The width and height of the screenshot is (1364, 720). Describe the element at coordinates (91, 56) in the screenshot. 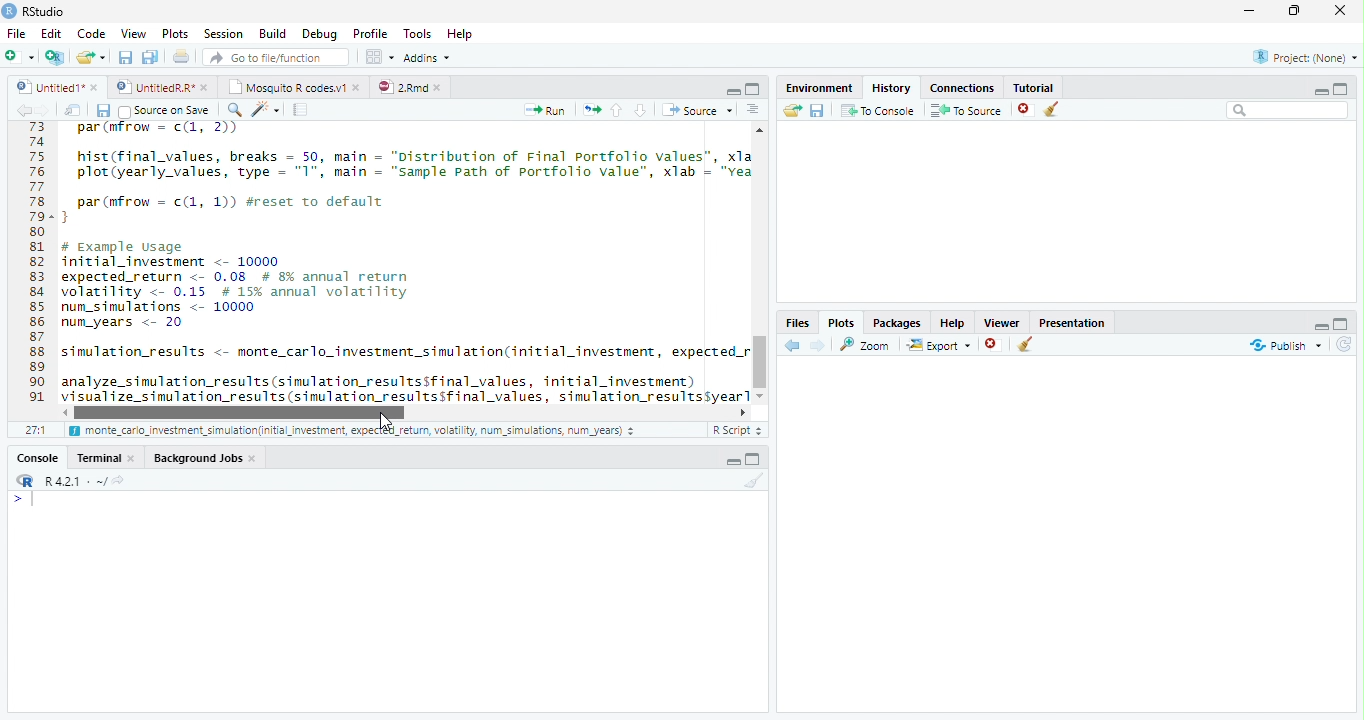

I see `Open an existing file` at that location.